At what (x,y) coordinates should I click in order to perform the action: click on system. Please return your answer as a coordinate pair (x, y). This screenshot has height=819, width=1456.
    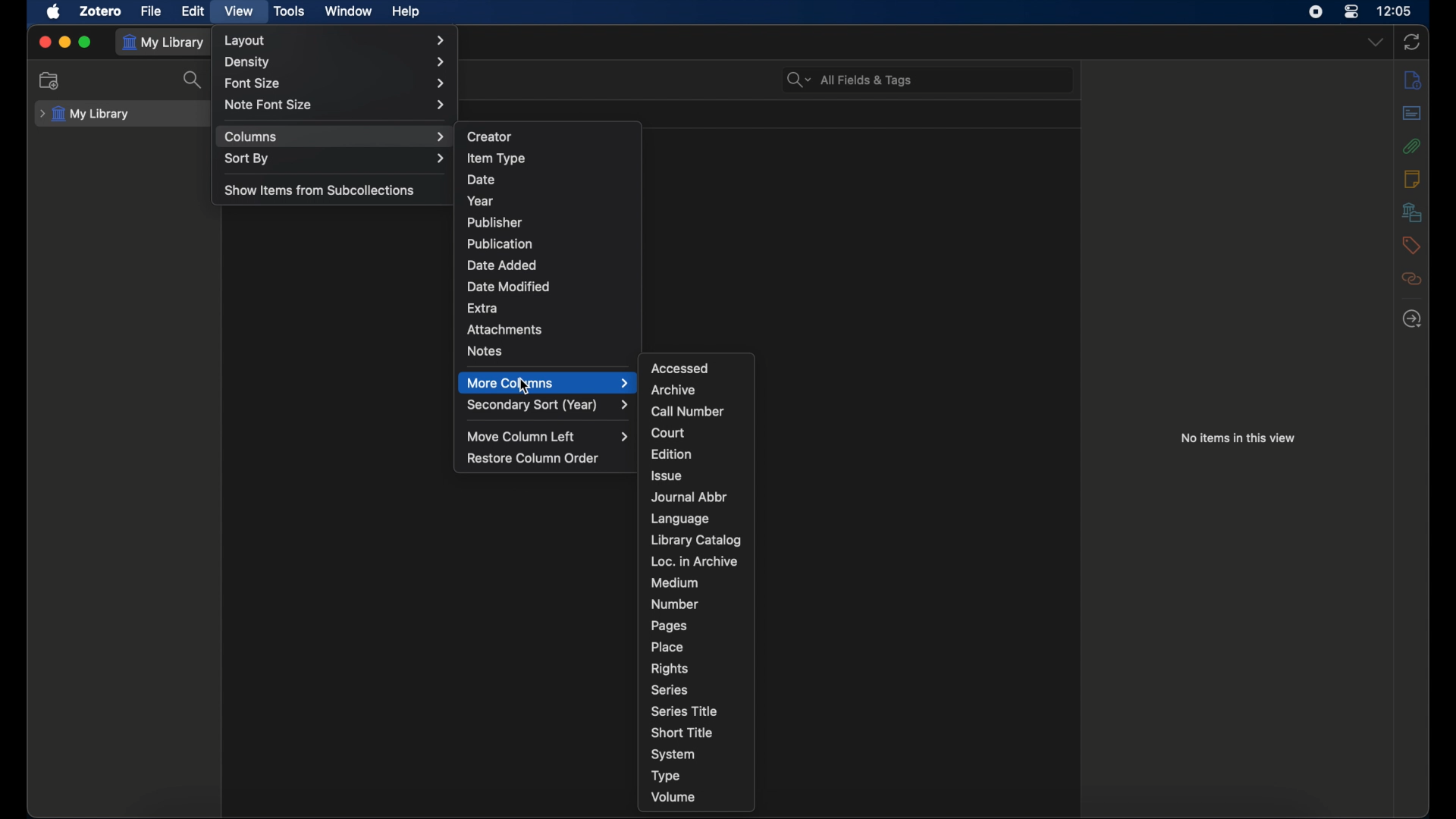
    Looking at the image, I should click on (673, 755).